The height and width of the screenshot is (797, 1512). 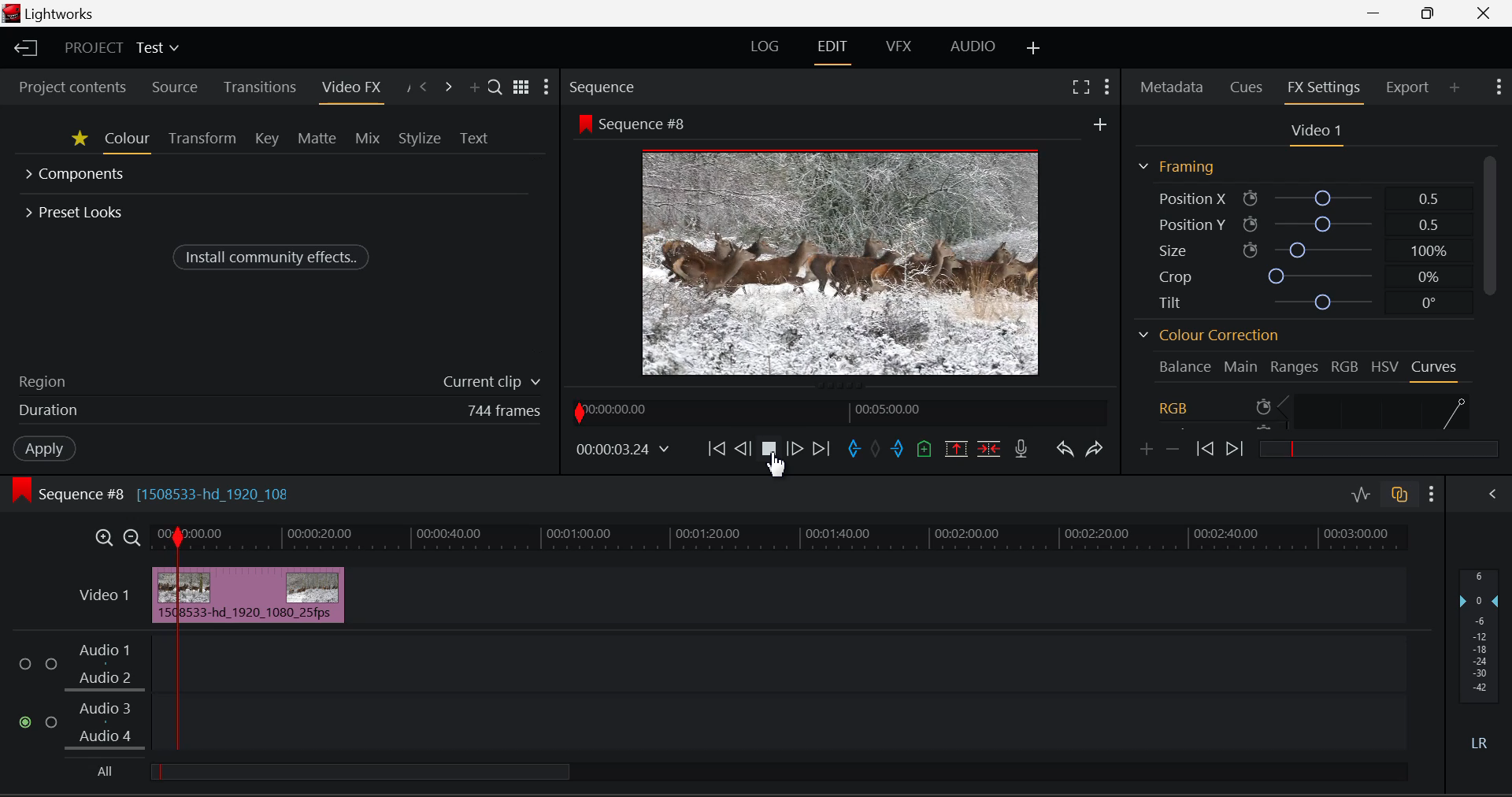 I want to click on Mark Out, so click(x=898, y=449).